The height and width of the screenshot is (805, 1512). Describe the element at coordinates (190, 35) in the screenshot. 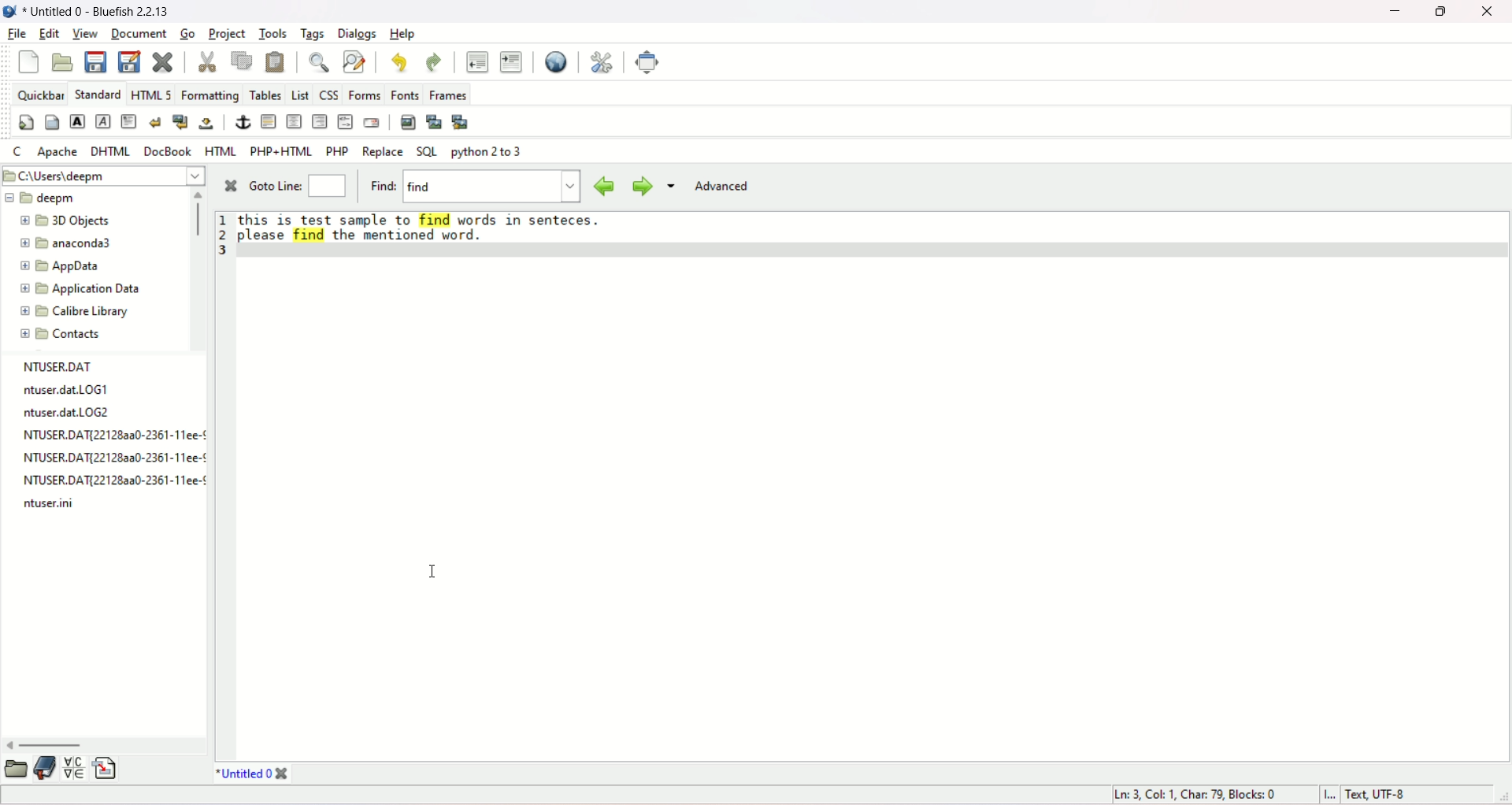

I see `go` at that location.